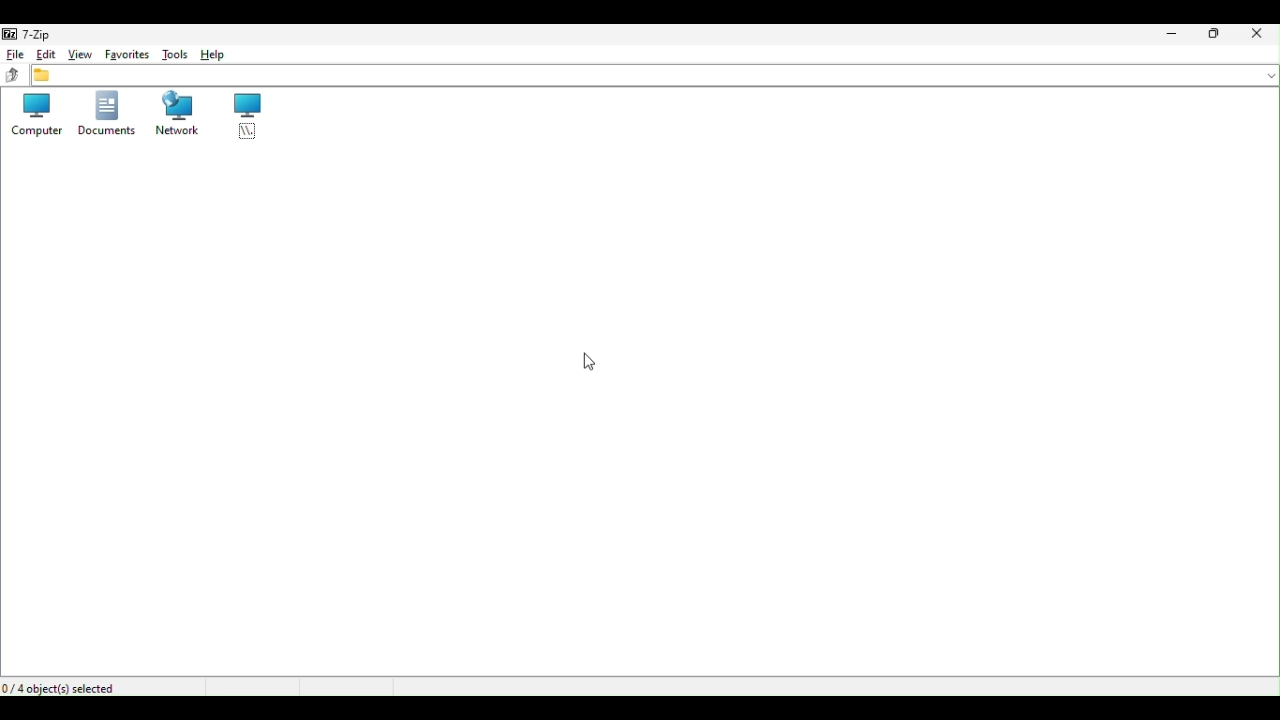 This screenshot has height=720, width=1280. I want to click on Help, so click(219, 55).